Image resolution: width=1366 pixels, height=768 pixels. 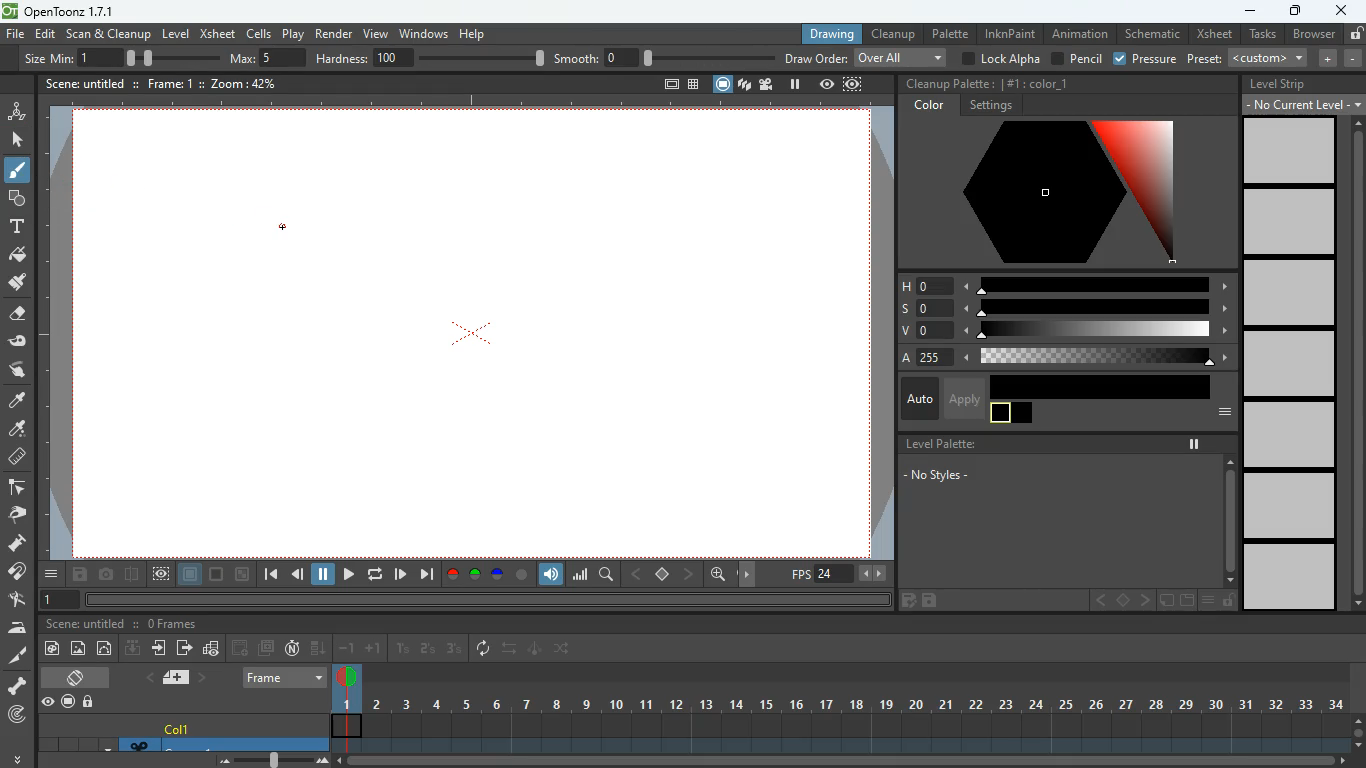 I want to click on divide, so click(x=133, y=577).